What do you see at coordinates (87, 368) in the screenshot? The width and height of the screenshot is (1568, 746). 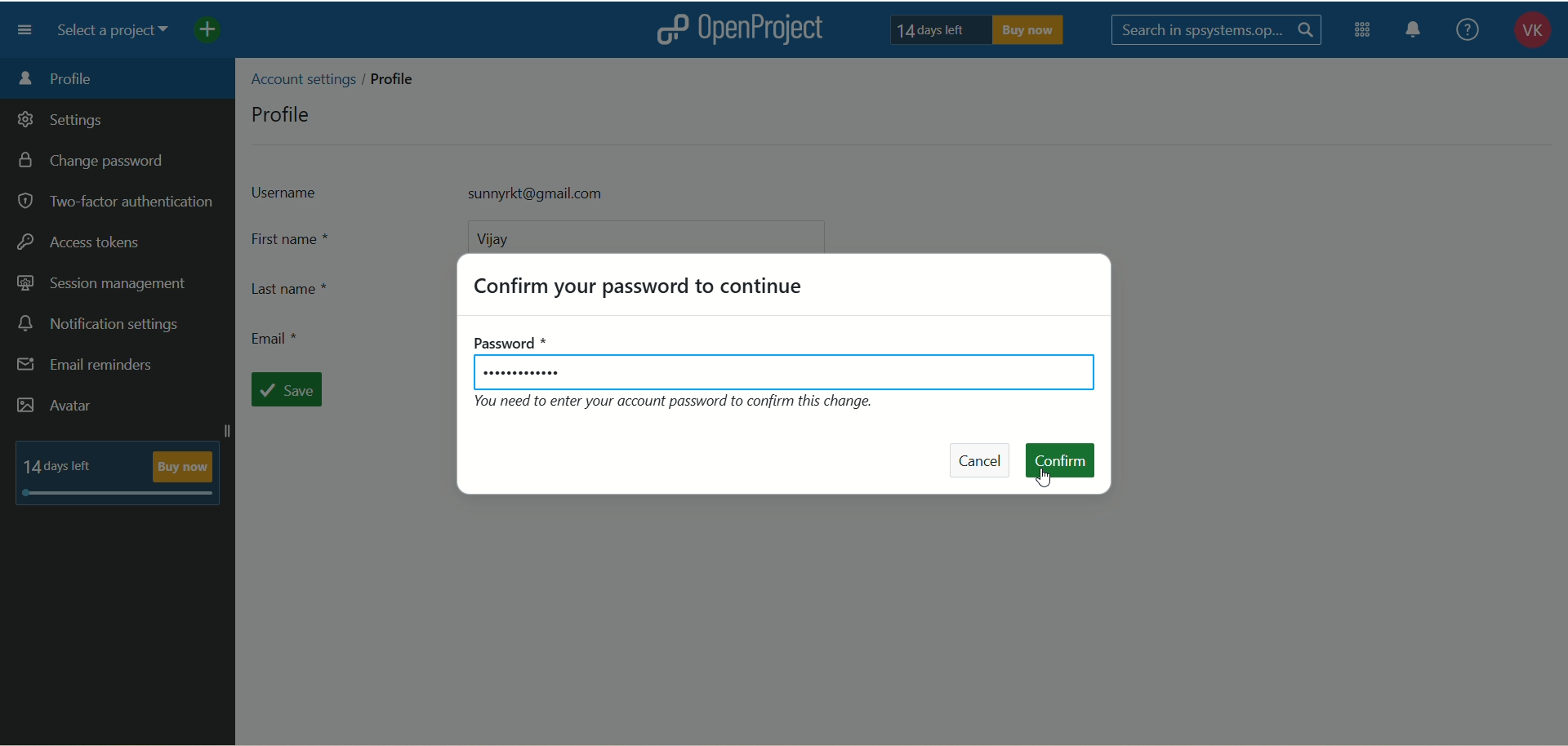 I see `email reminders` at bounding box center [87, 368].